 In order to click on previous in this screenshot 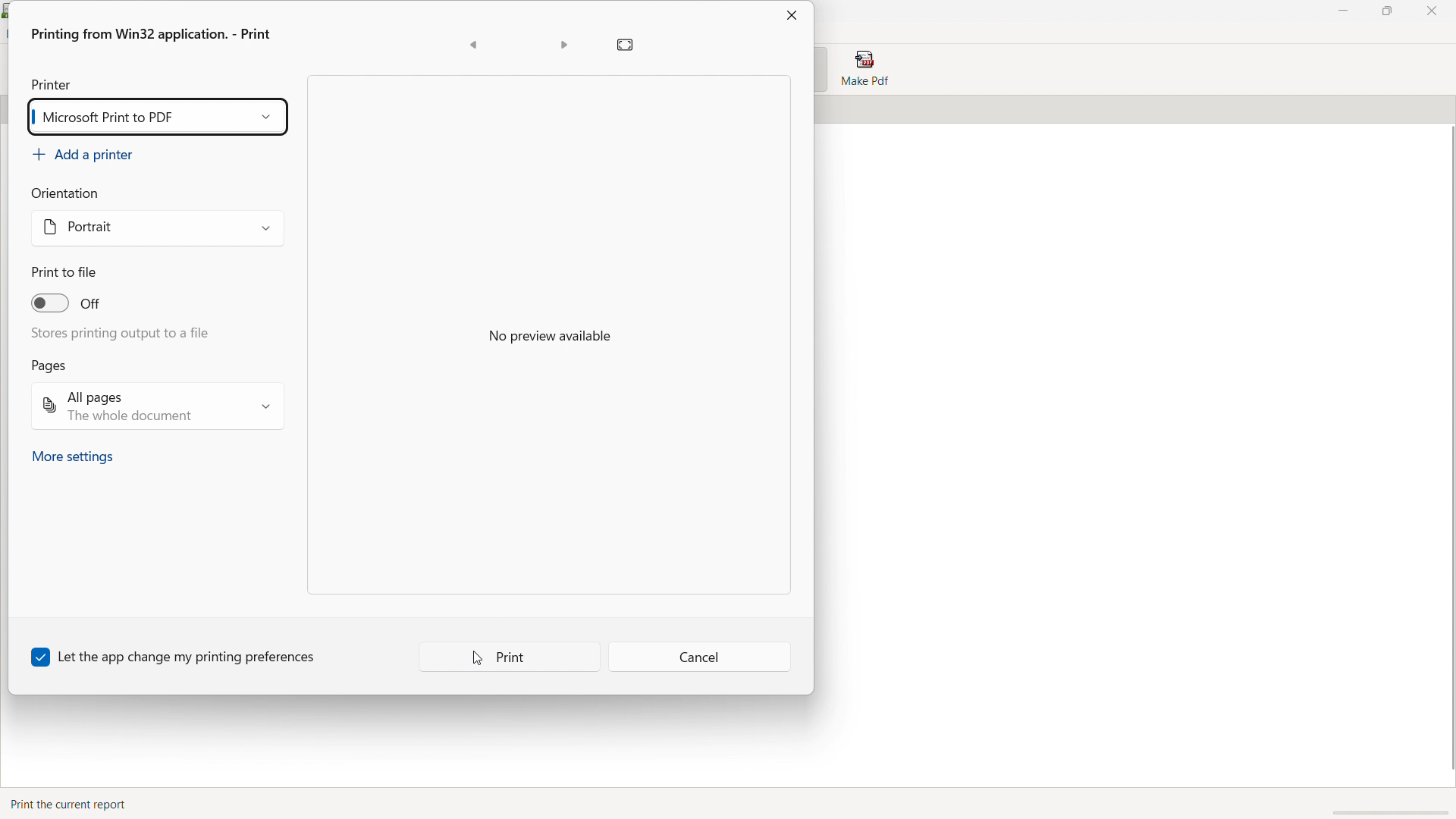, I will do `click(473, 45)`.